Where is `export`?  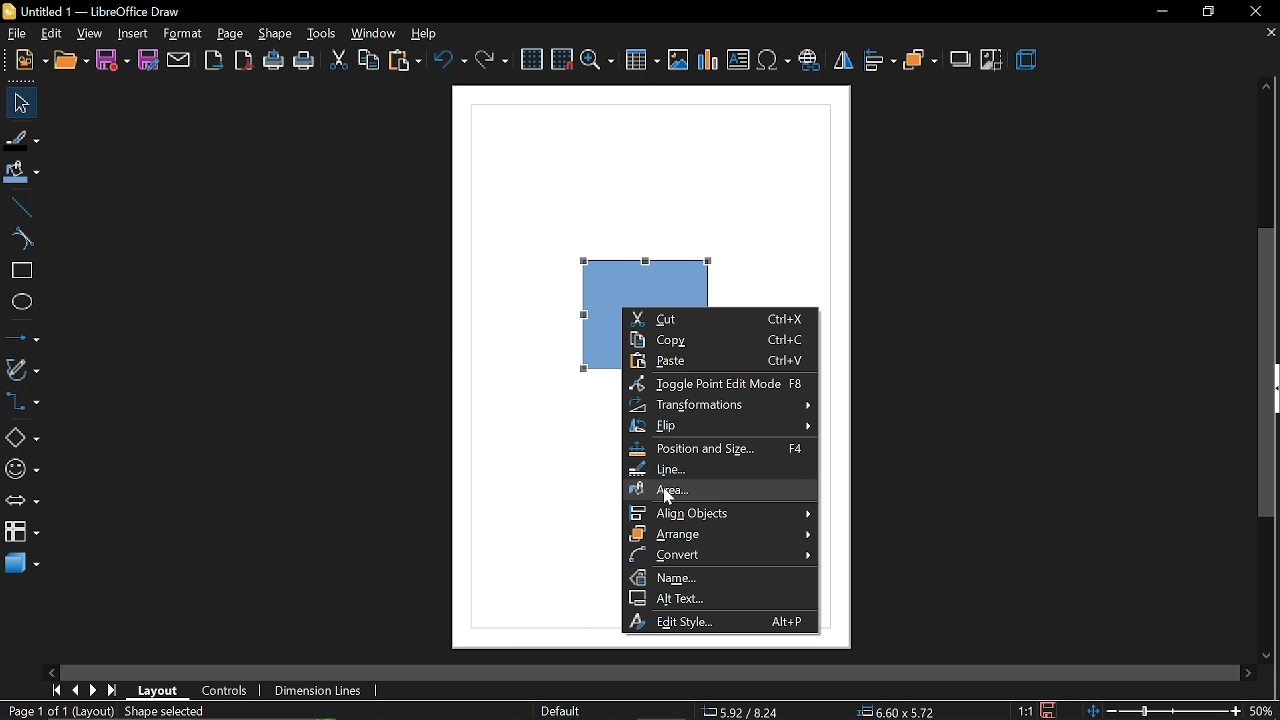 export is located at coordinates (216, 60).